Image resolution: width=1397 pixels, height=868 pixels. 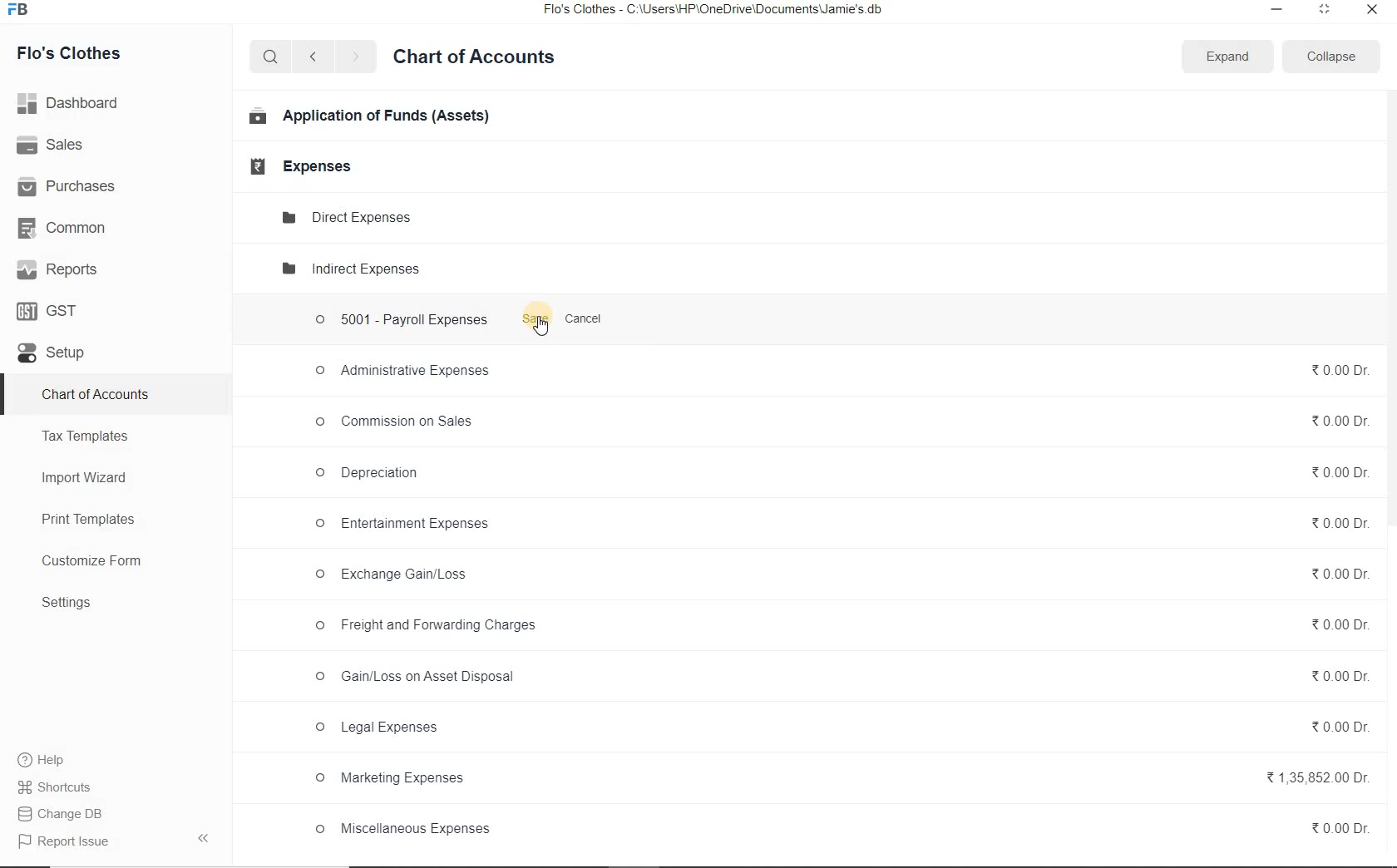 What do you see at coordinates (355, 58) in the screenshot?
I see `next` at bounding box center [355, 58].